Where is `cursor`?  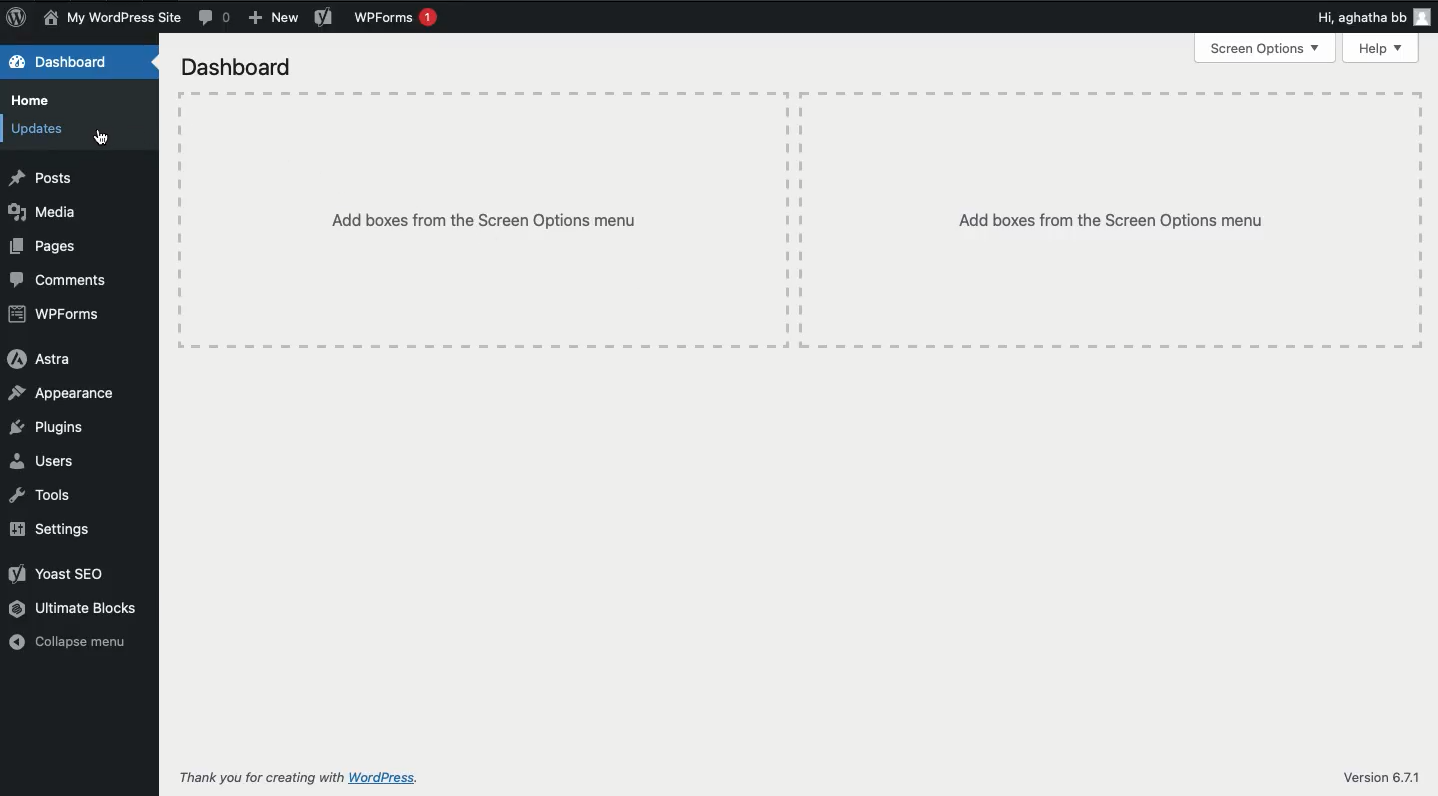
cursor is located at coordinates (111, 136).